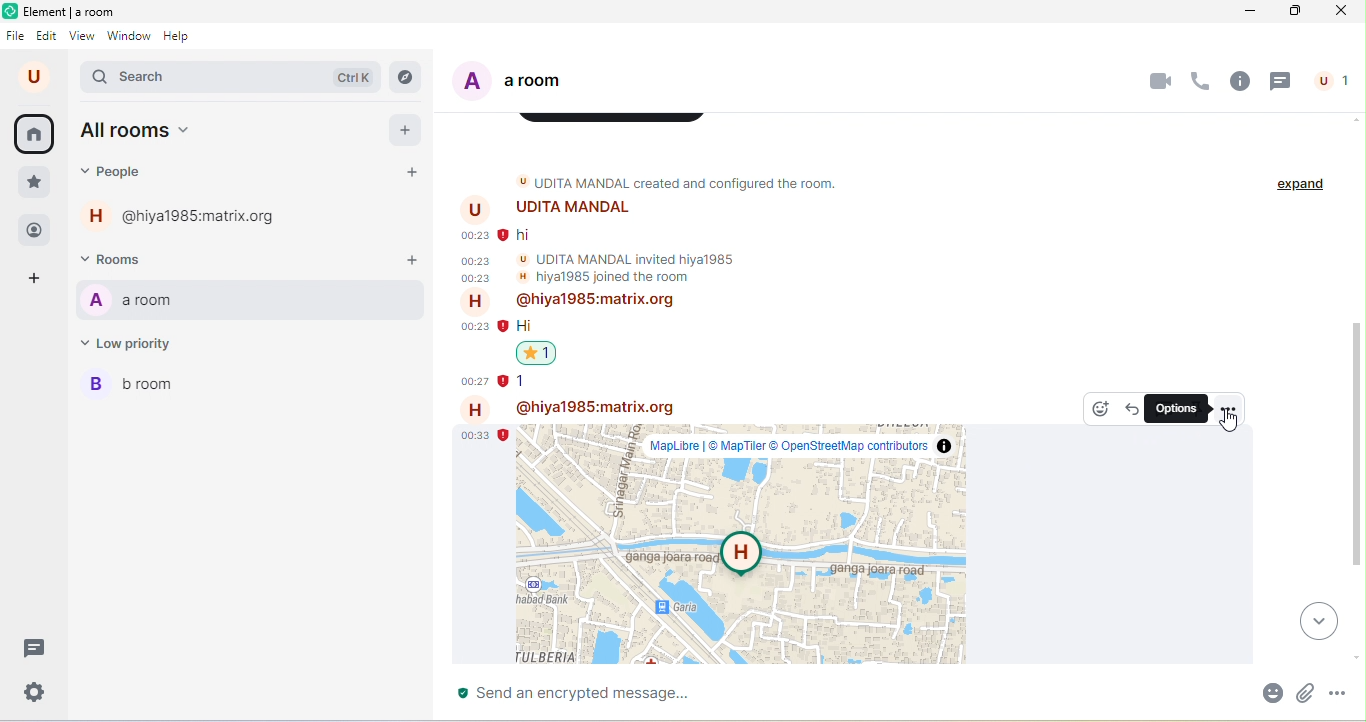 The width and height of the screenshot is (1366, 722). What do you see at coordinates (84, 37) in the screenshot?
I see `view` at bounding box center [84, 37].